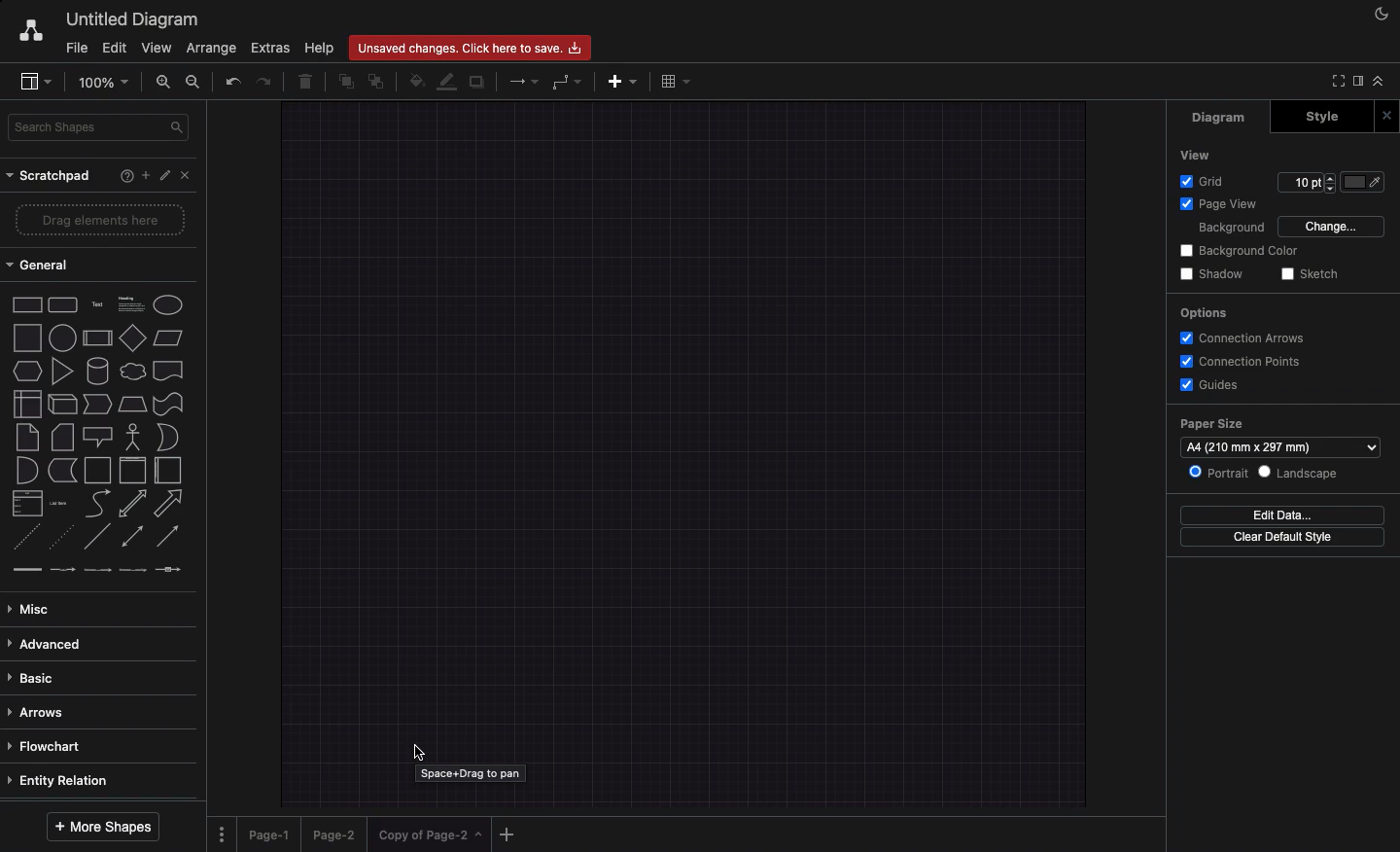 The image size is (1400, 852). I want to click on Diagram, so click(1220, 120).